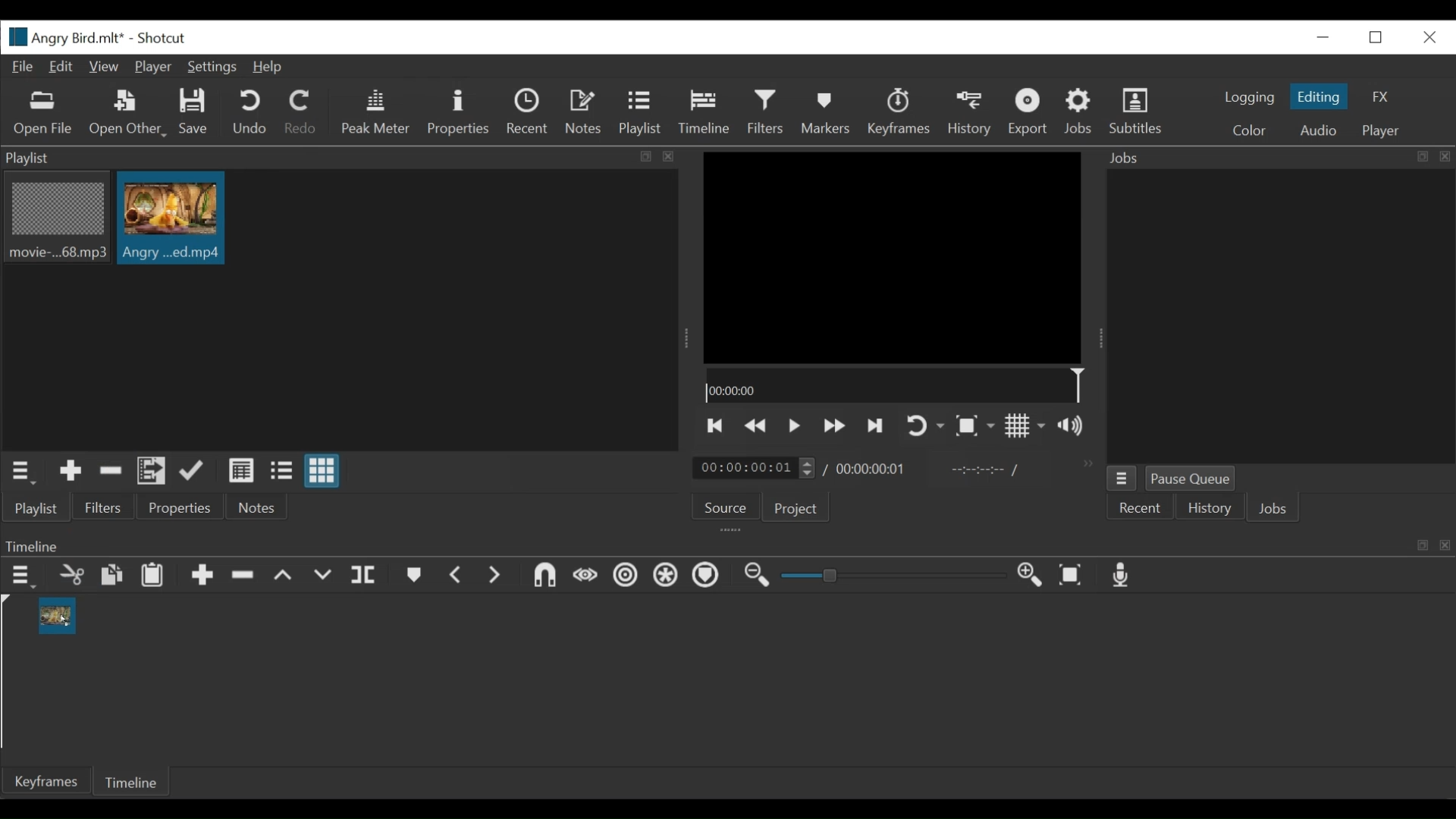 The image size is (1456, 819). Describe the element at coordinates (1276, 508) in the screenshot. I see `Jobs` at that location.